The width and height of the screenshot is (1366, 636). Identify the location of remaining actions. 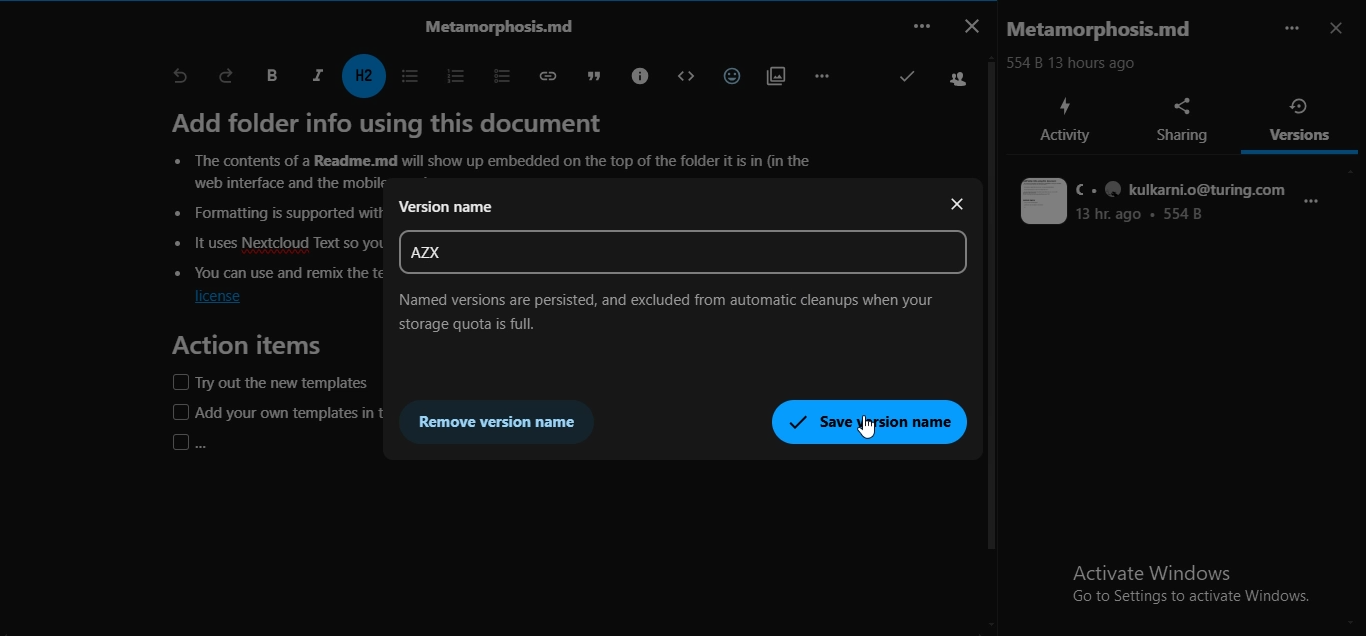
(821, 75).